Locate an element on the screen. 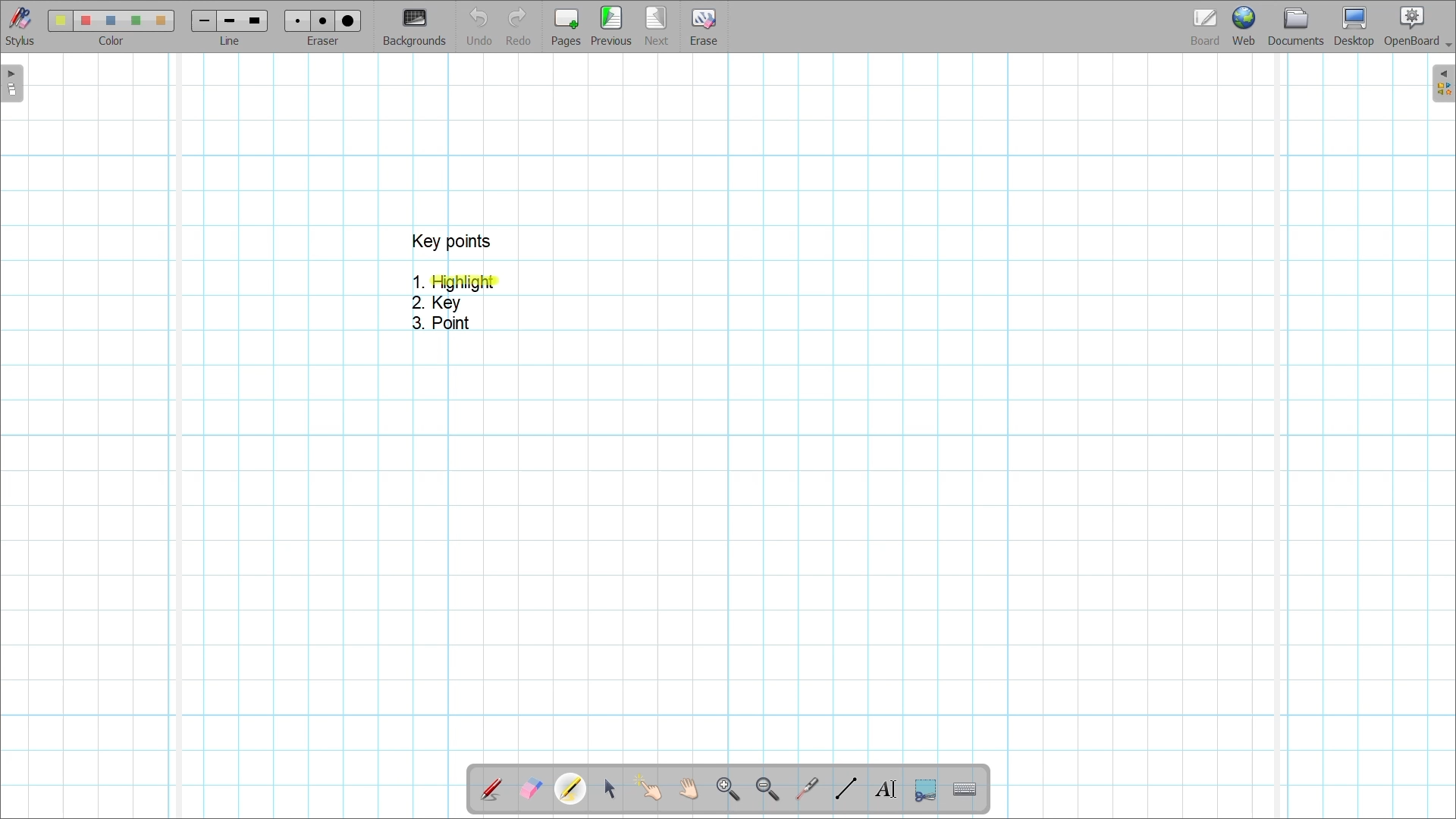  Draw lines is located at coordinates (846, 789).